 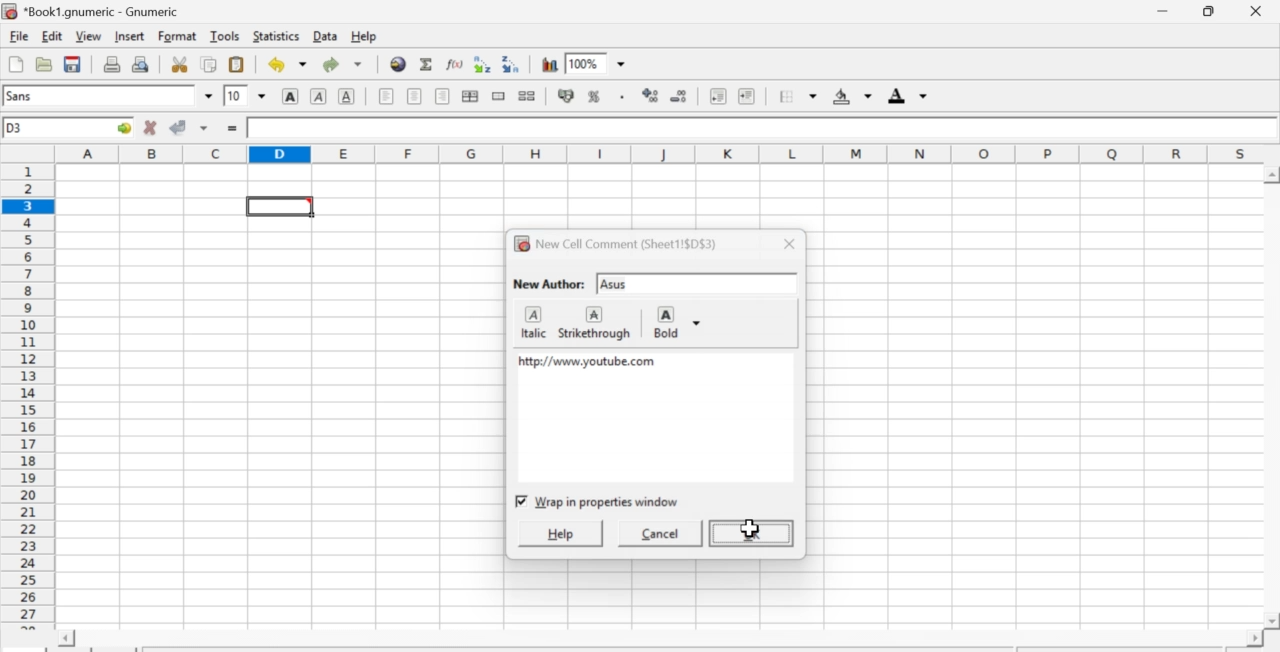 I want to click on down, so click(x=205, y=127).